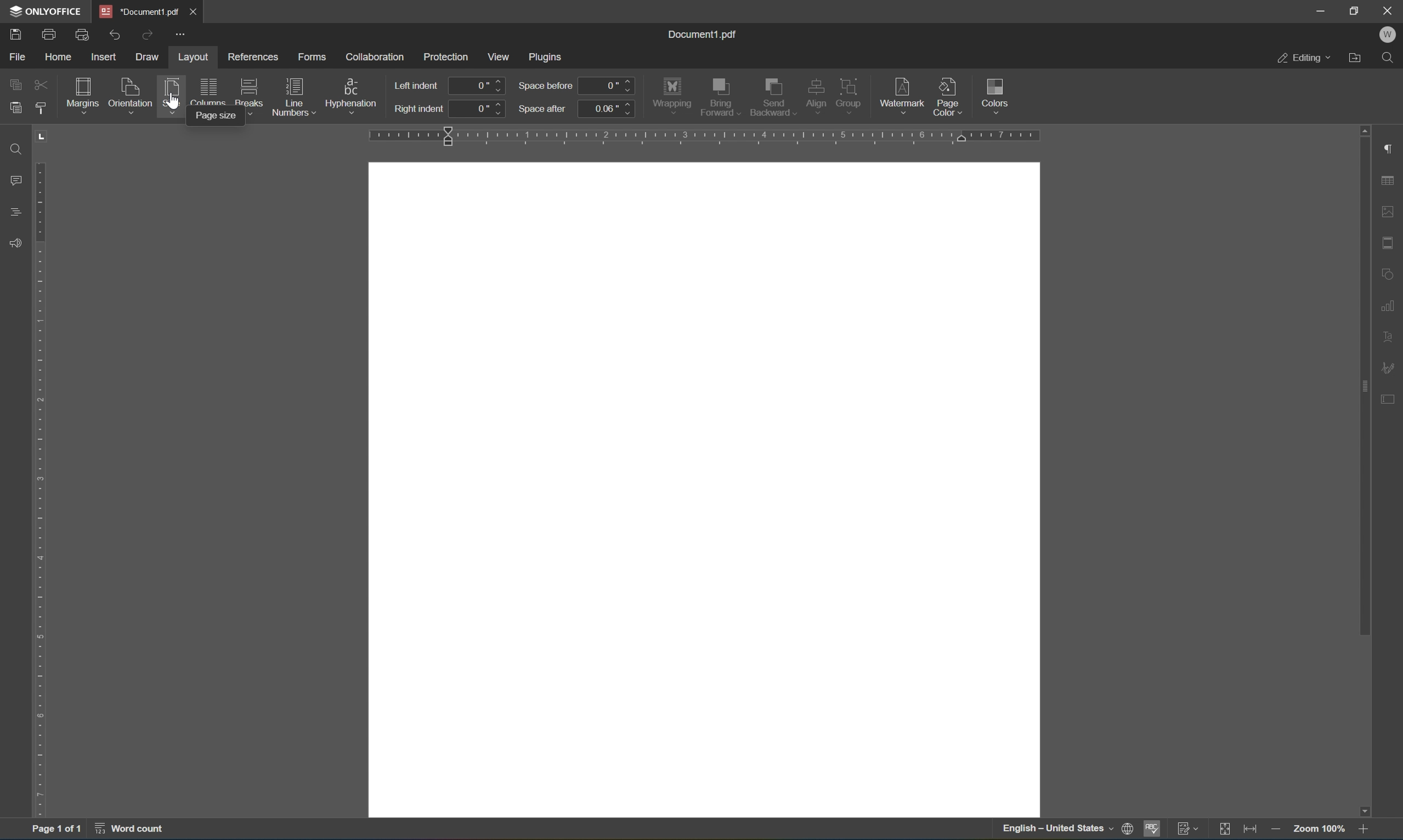 This screenshot has width=1403, height=840. What do you see at coordinates (18, 56) in the screenshot?
I see `file` at bounding box center [18, 56].